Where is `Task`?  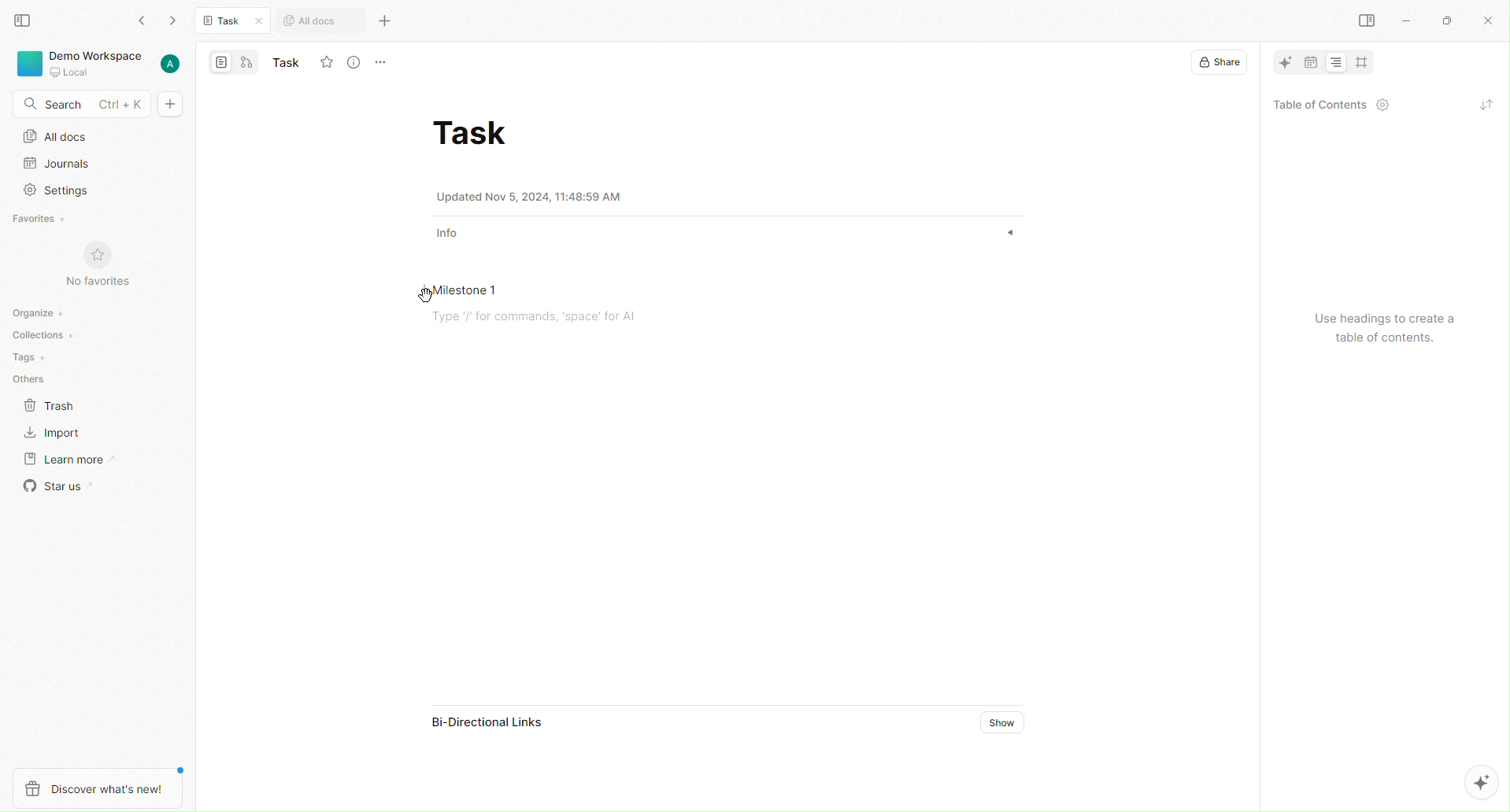
Task is located at coordinates (474, 134).